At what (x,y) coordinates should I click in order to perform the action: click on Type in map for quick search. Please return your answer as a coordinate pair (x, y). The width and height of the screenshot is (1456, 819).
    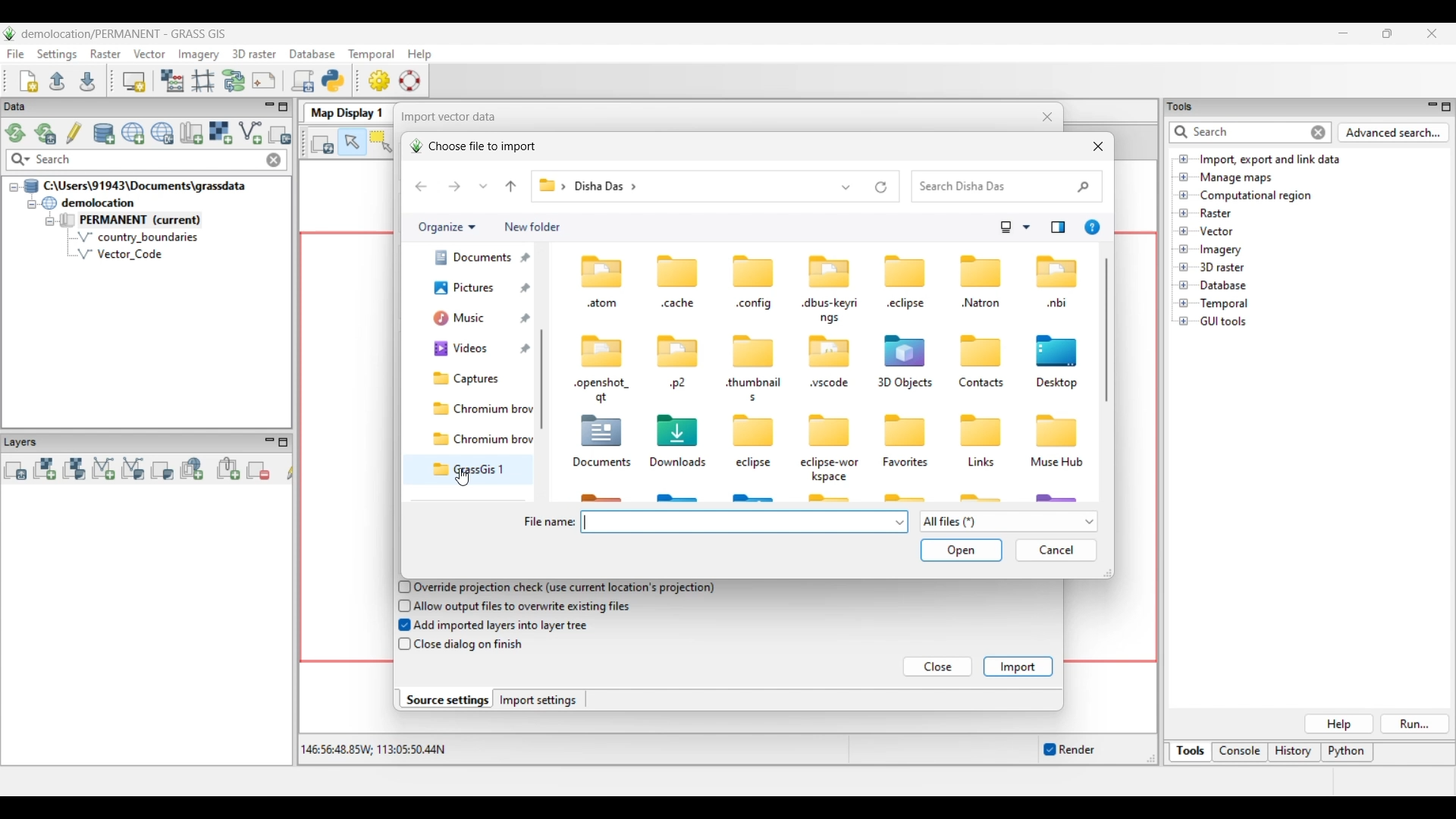
    Looking at the image, I should click on (148, 160).